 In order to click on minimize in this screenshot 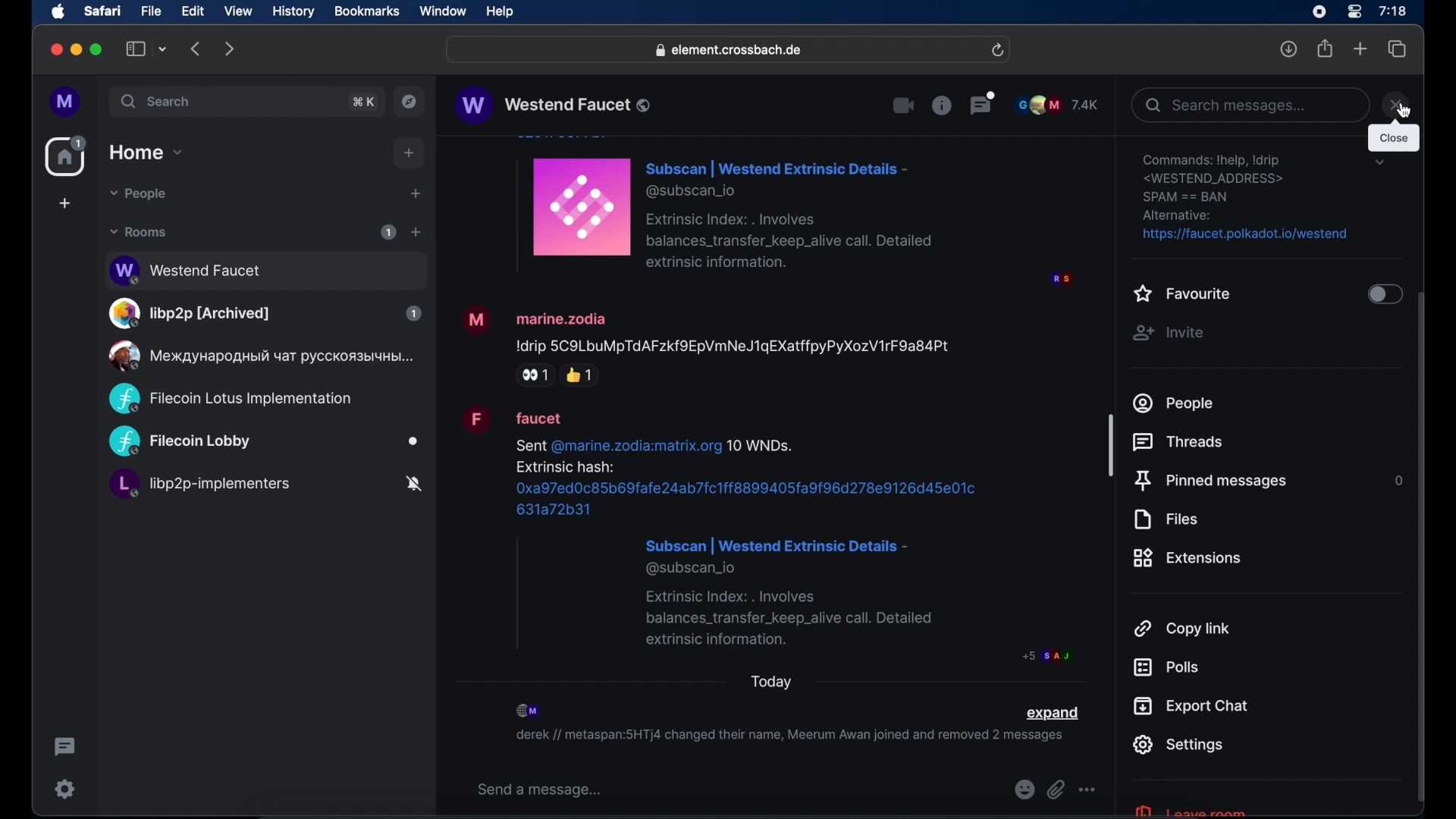, I will do `click(77, 49)`.